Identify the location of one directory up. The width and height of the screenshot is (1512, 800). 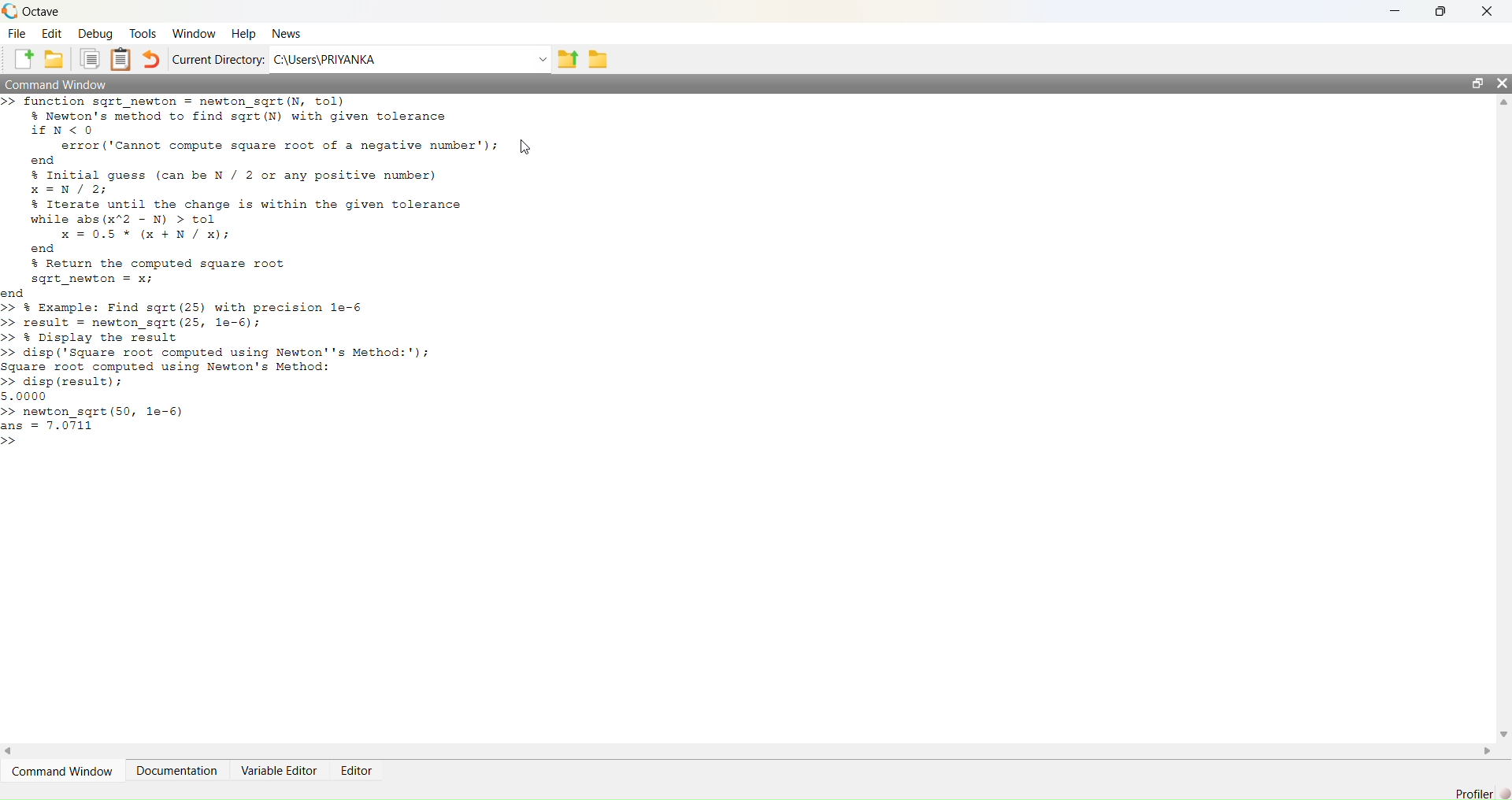
(567, 57).